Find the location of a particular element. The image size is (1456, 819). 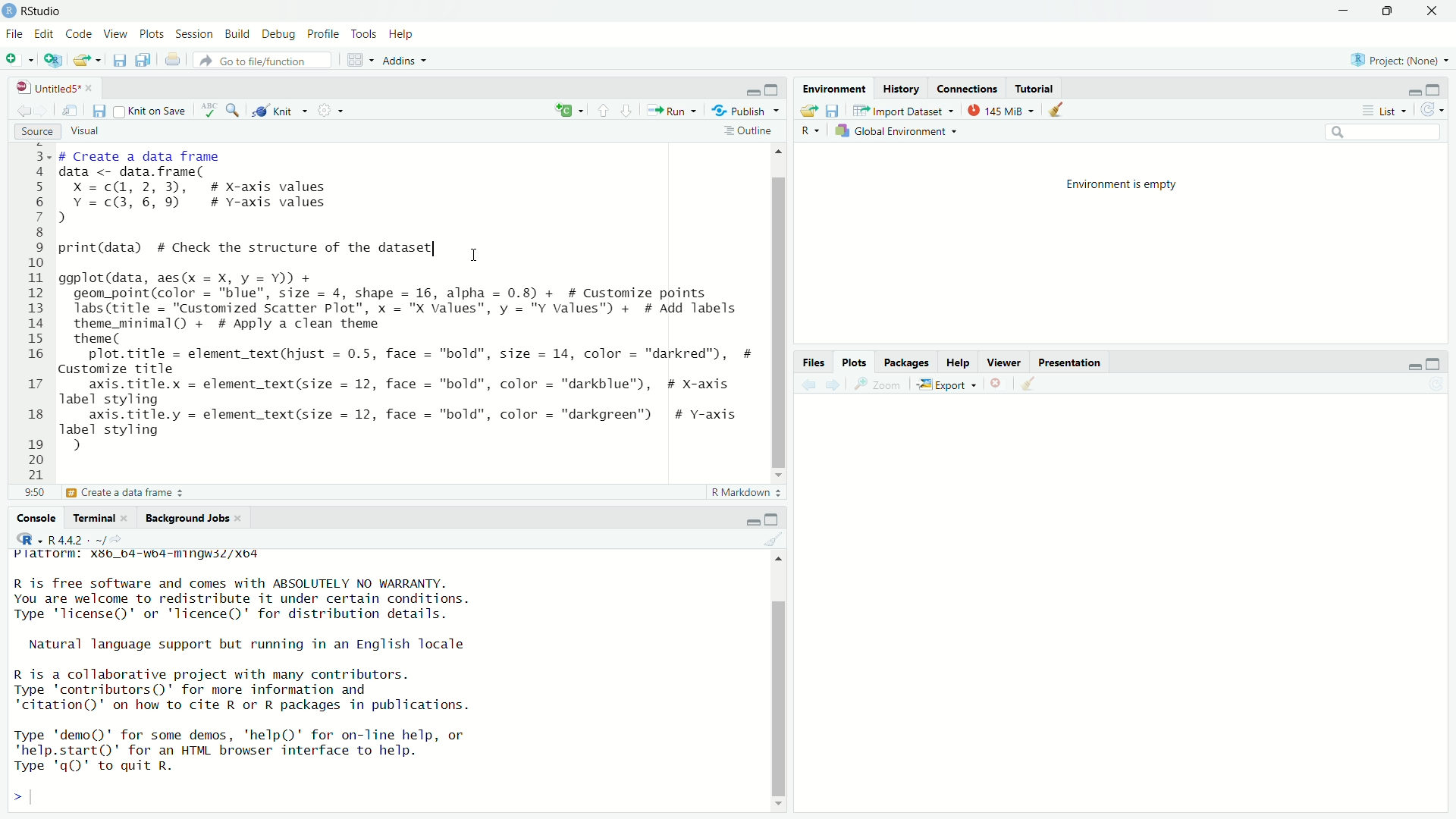

Project (None) is located at coordinates (1398, 61).